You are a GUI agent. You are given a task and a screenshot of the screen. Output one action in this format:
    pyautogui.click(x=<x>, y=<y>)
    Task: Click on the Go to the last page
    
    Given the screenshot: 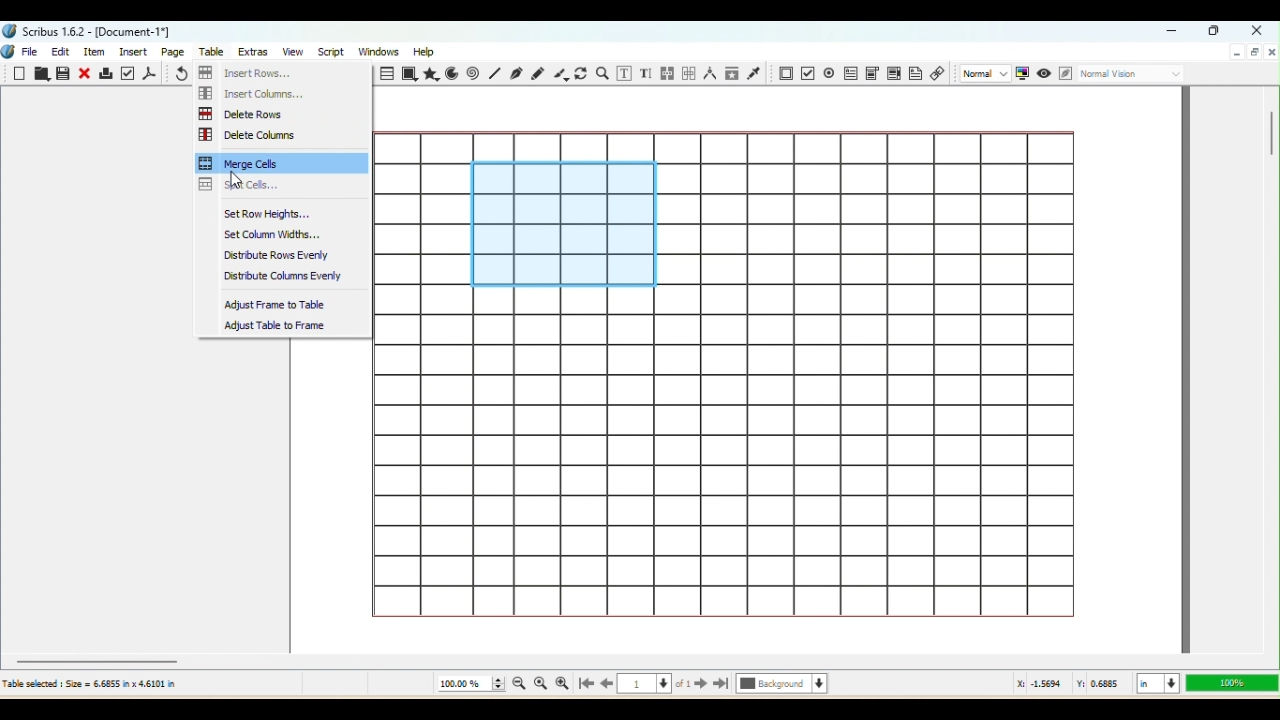 What is the action you would take?
    pyautogui.click(x=722, y=685)
    